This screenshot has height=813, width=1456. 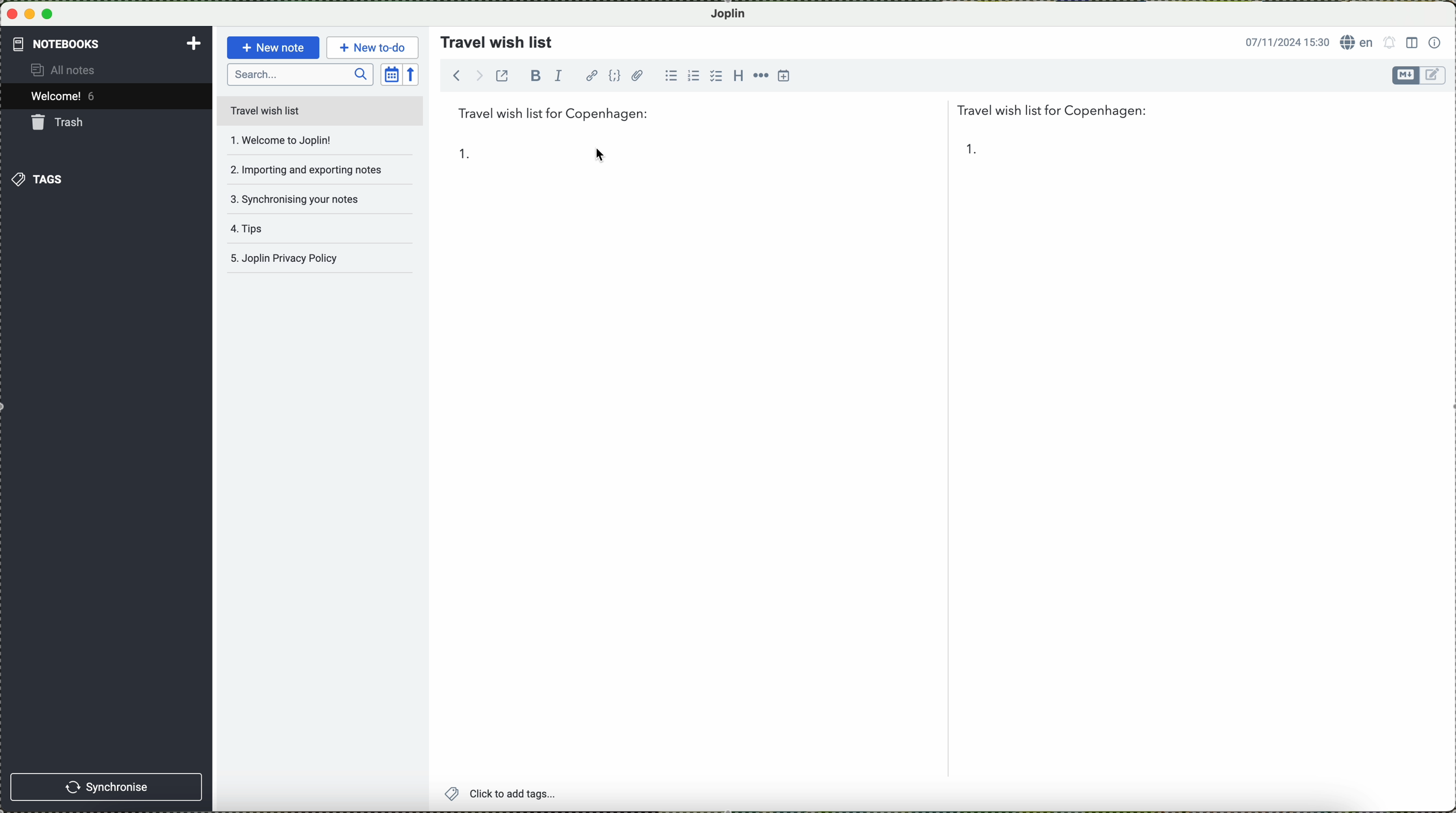 I want to click on tips, so click(x=298, y=233).